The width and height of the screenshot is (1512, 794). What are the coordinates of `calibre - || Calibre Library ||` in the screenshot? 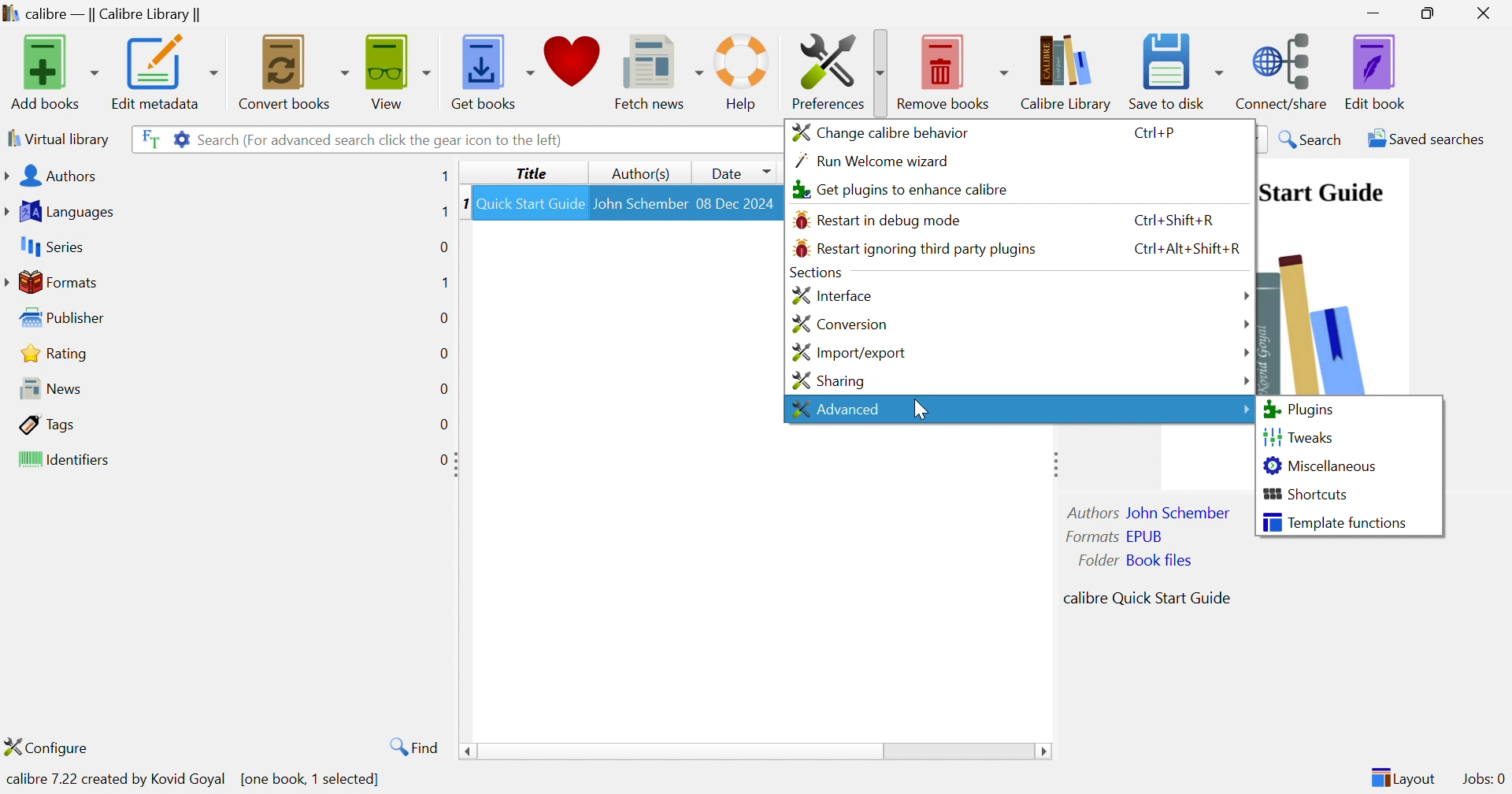 It's located at (100, 15).